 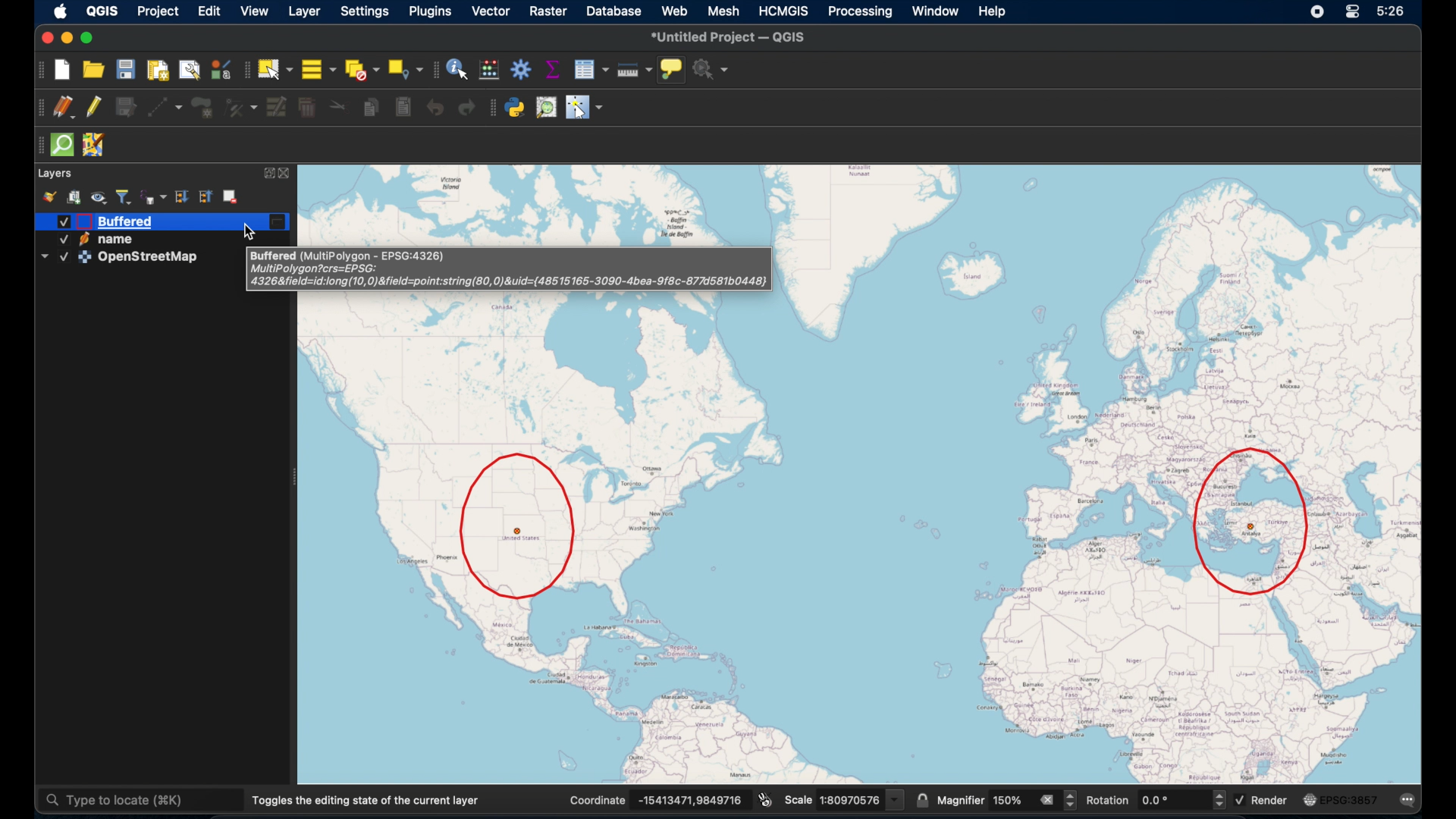 What do you see at coordinates (245, 71) in the screenshot?
I see `drag handles` at bounding box center [245, 71].